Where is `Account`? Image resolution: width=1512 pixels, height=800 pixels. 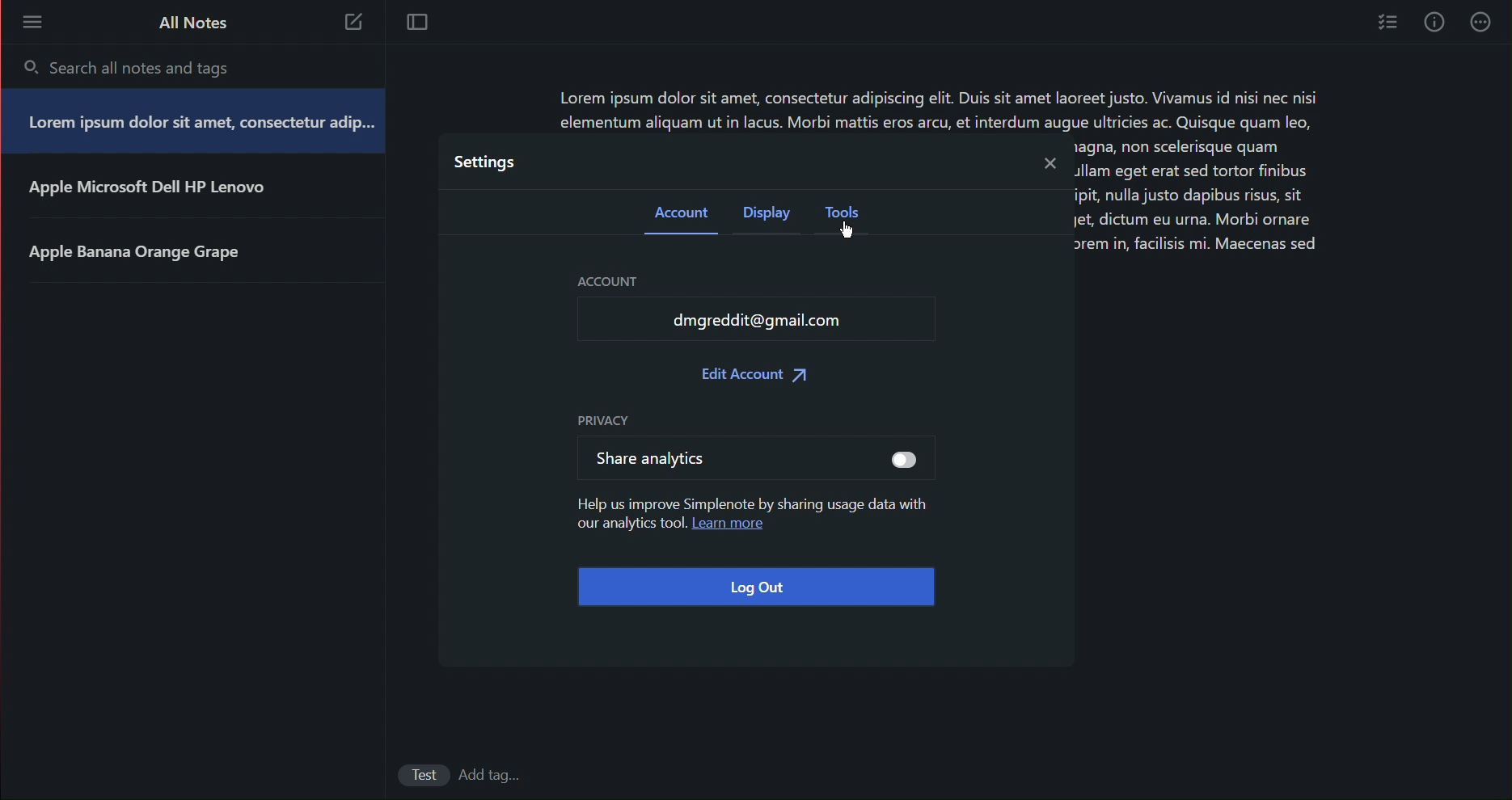
Account is located at coordinates (614, 280).